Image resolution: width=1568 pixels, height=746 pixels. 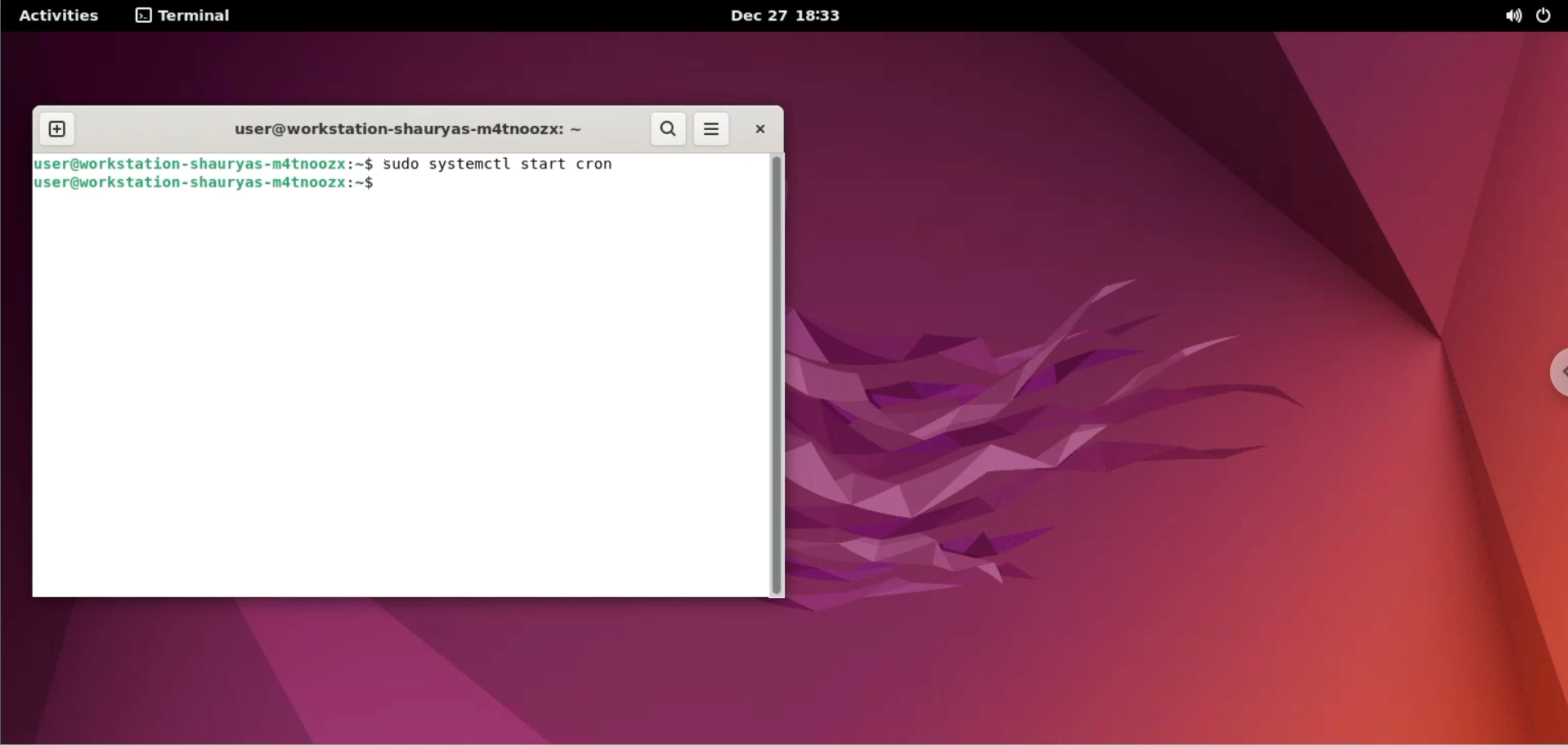 What do you see at coordinates (190, 16) in the screenshot?
I see `terminal ` at bounding box center [190, 16].